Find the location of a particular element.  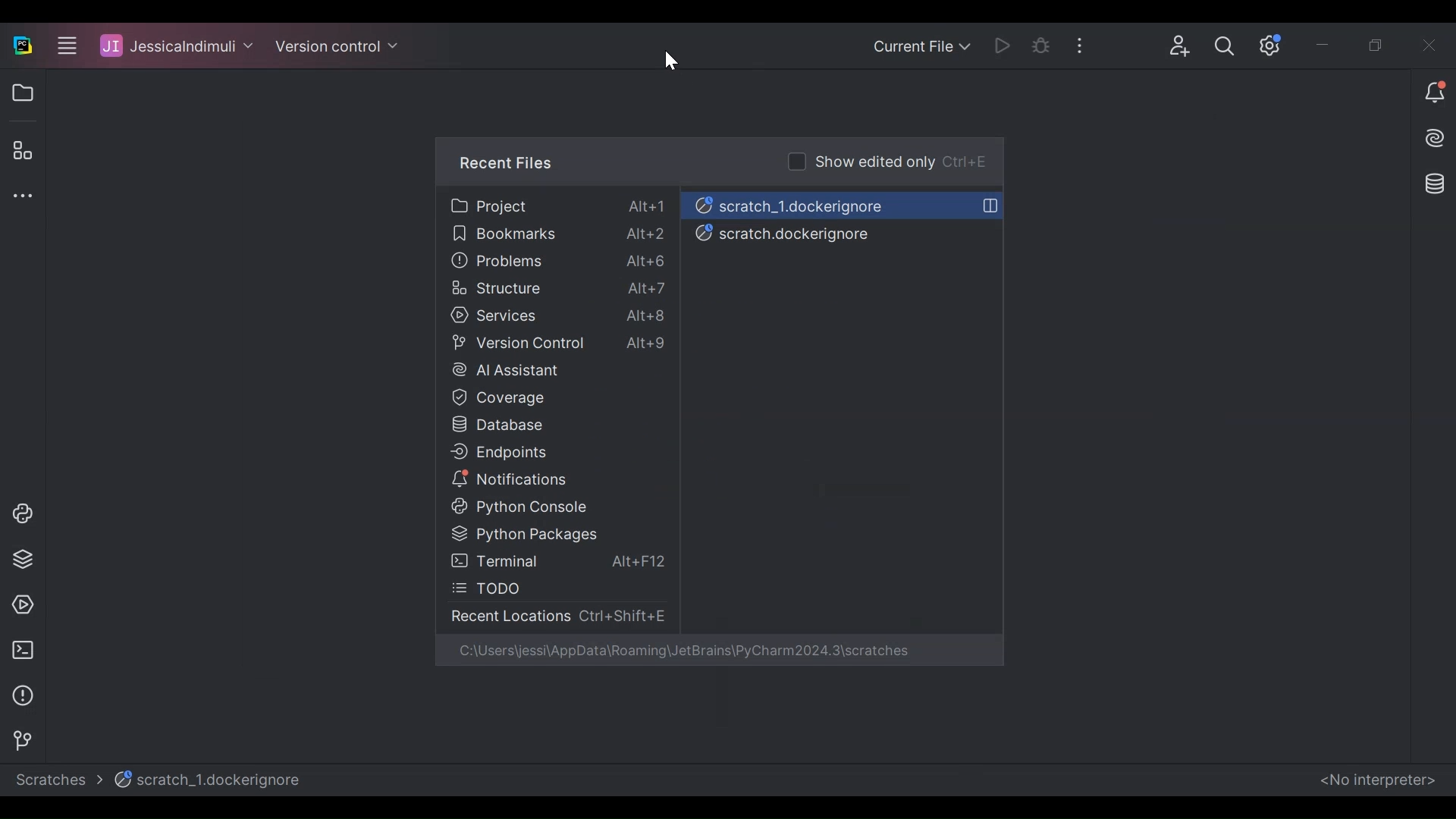

Project Name is located at coordinates (171, 47).